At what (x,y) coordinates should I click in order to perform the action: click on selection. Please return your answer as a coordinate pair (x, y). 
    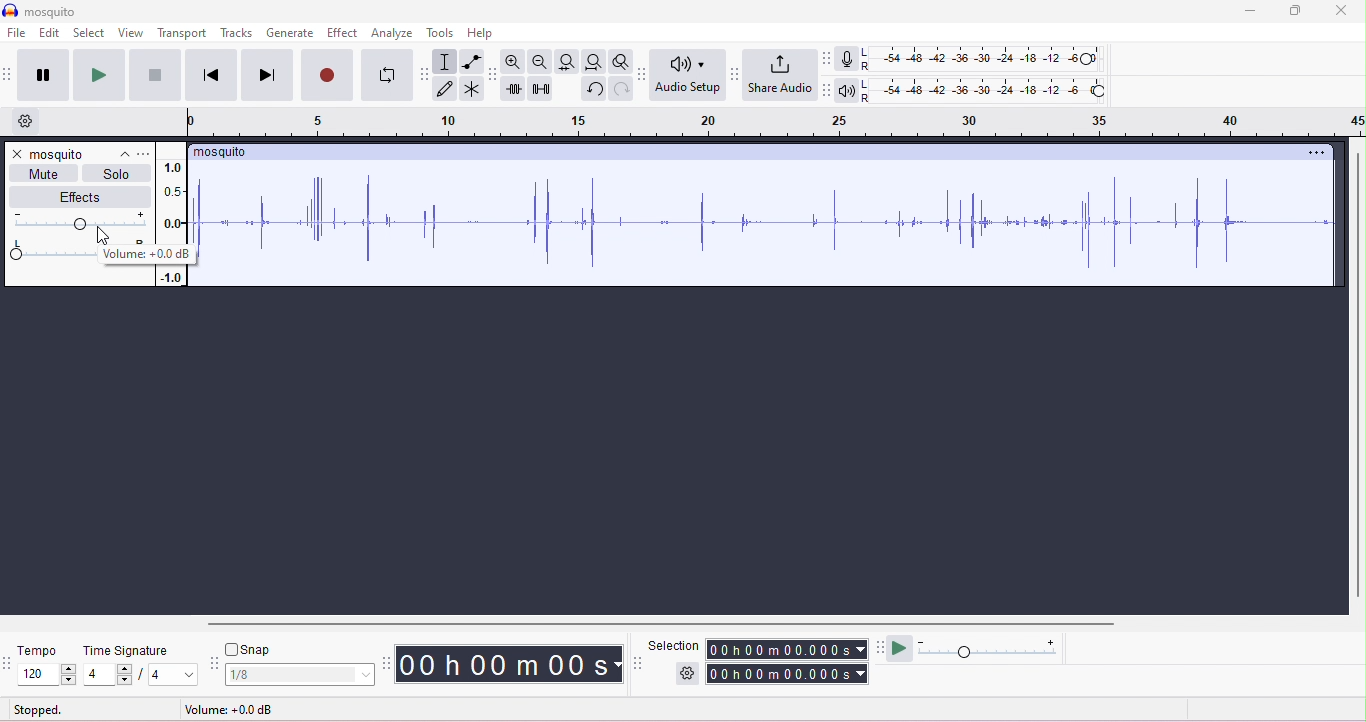
    Looking at the image, I should click on (675, 646).